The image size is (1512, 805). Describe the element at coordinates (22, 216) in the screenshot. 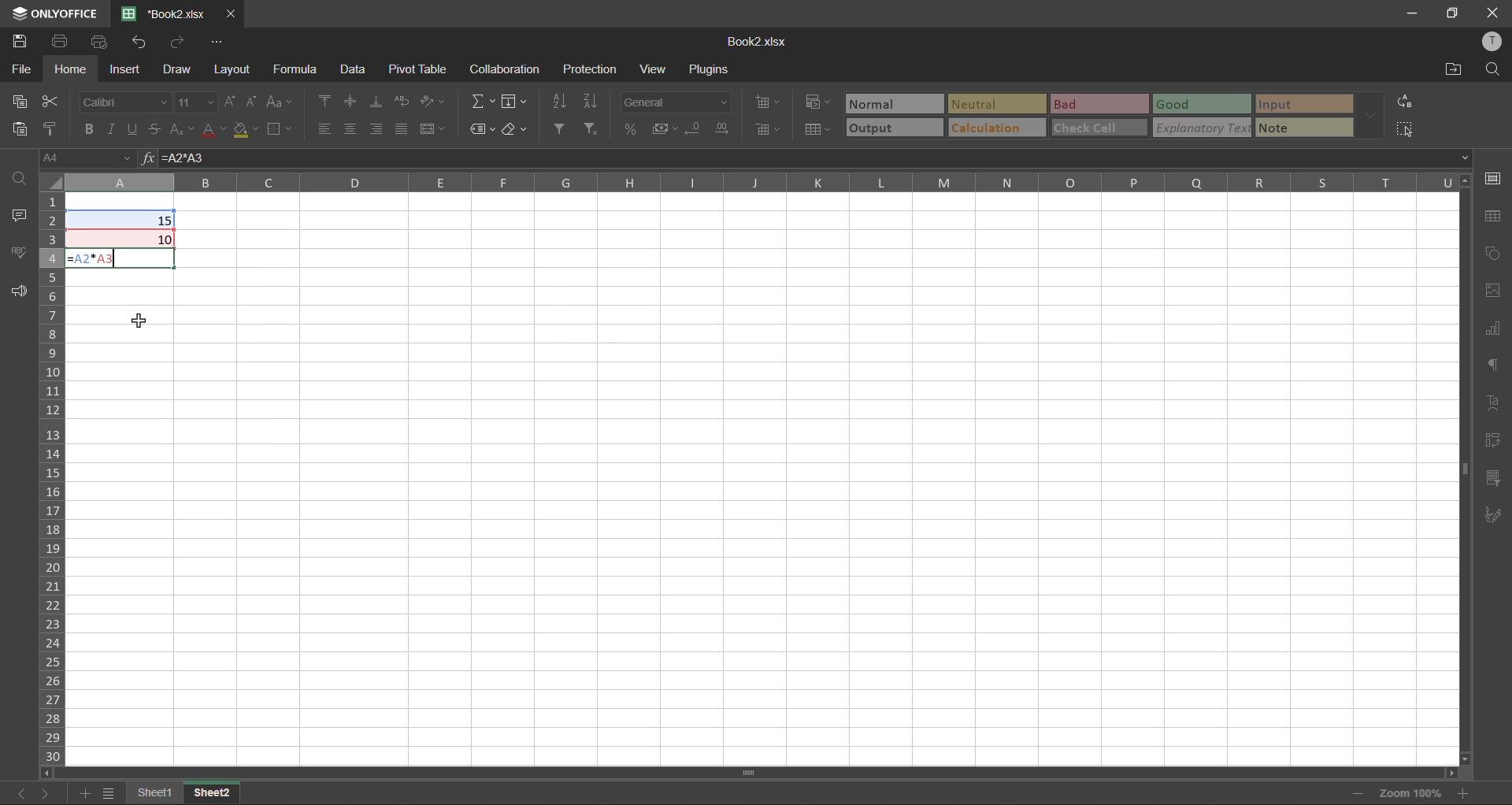

I see `comments` at that location.